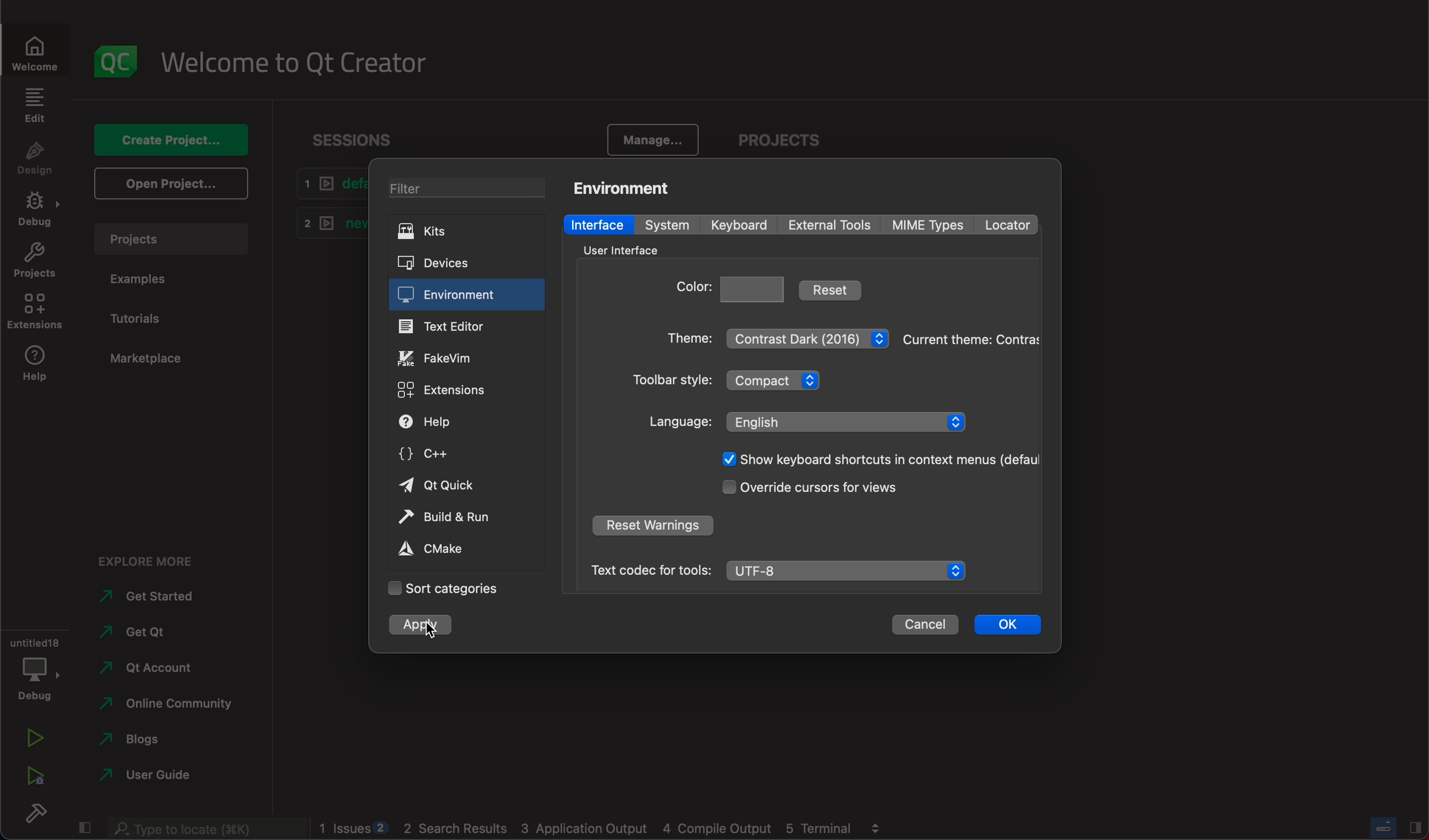 The height and width of the screenshot is (840, 1429). Describe the element at coordinates (732, 287) in the screenshot. I see `color` at that location.